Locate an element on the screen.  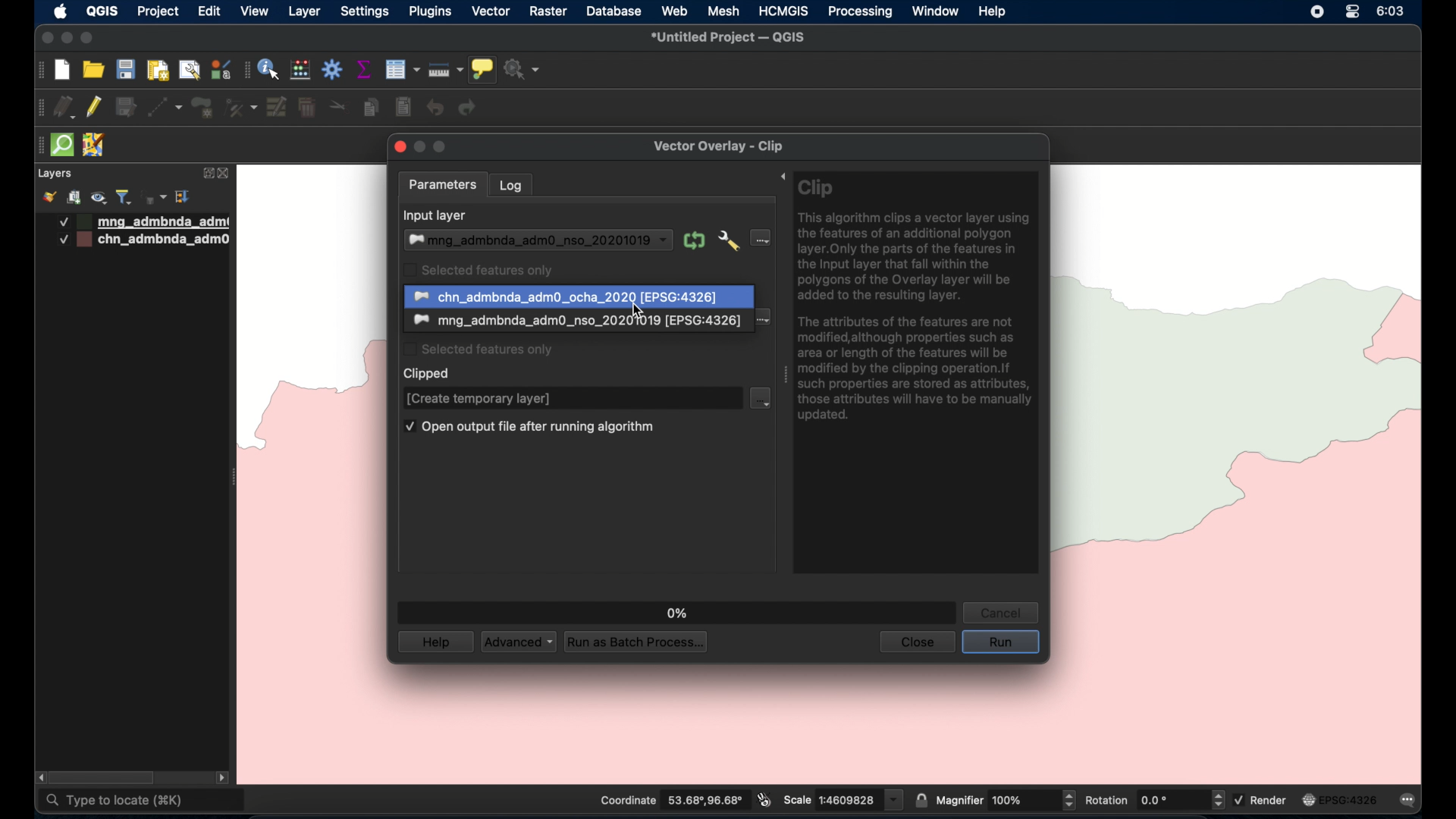
raster is located at coordinates (547, 12).